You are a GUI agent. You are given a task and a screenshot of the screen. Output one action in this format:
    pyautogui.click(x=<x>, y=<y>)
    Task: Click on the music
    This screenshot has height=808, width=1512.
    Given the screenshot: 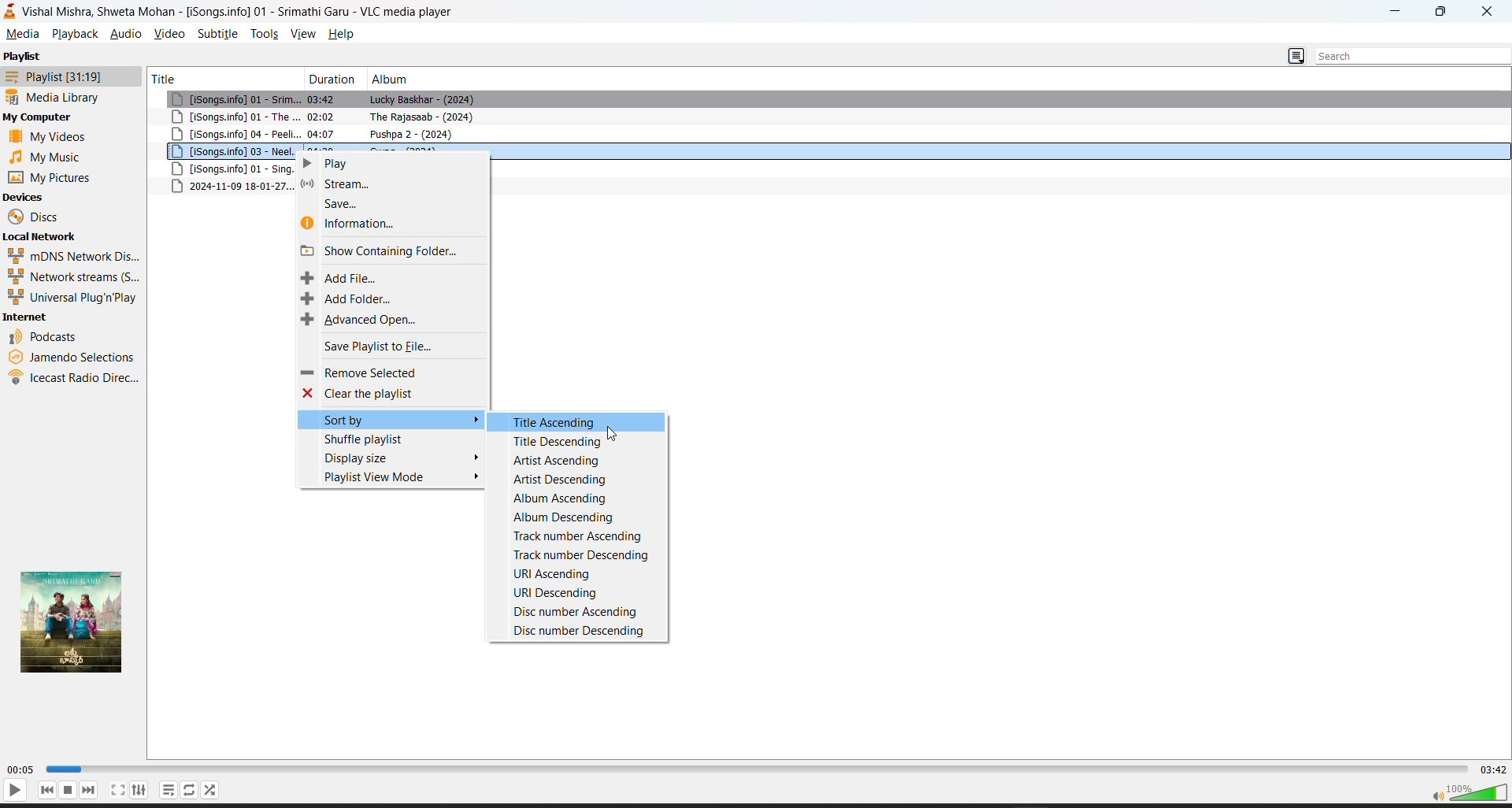 What is the action you would take?
    pyautogui.click(x=51, y=157)
    